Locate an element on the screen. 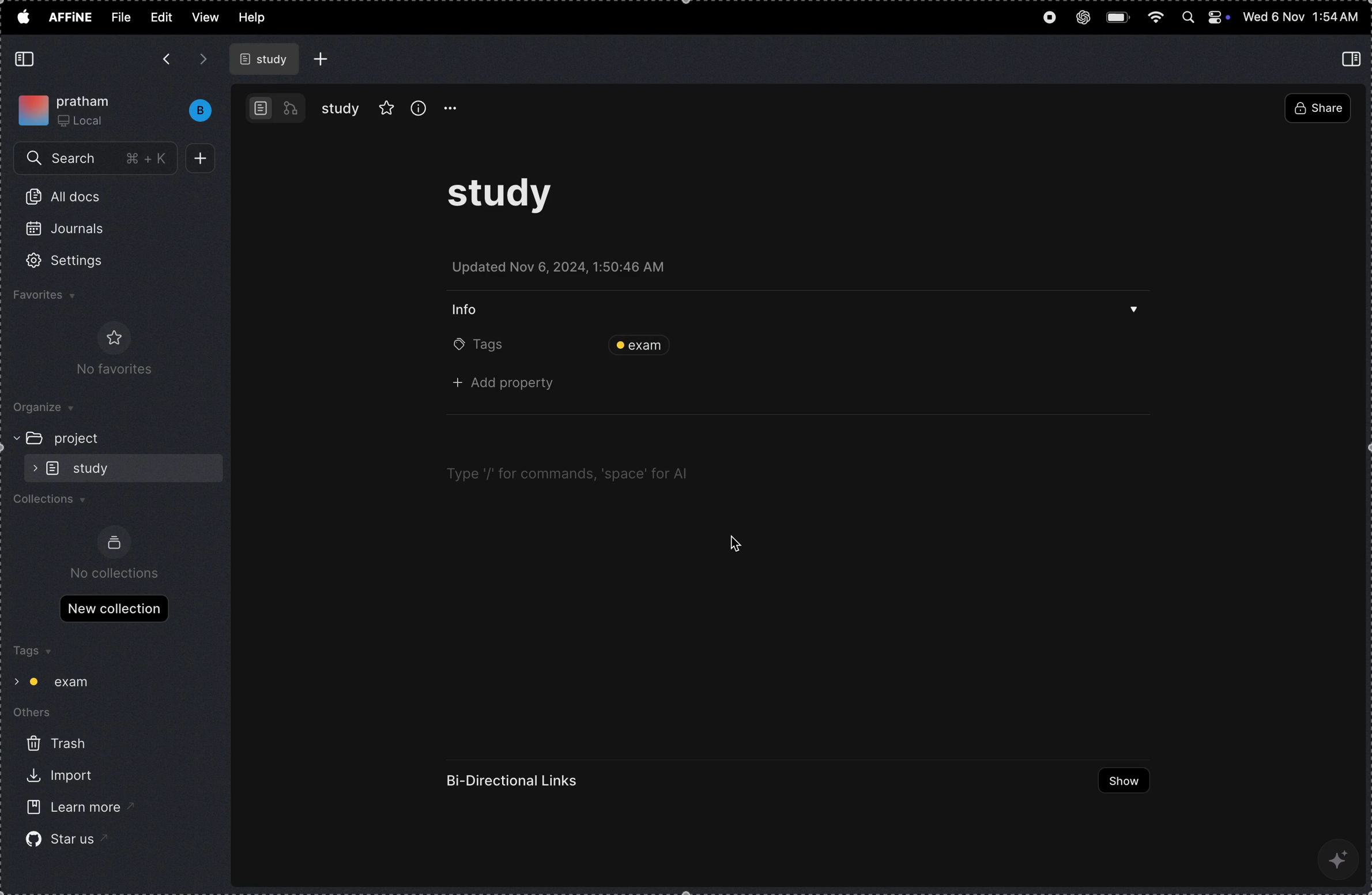 This screenshot has width=1372, height=895. others is located at coordinates (42, 715).